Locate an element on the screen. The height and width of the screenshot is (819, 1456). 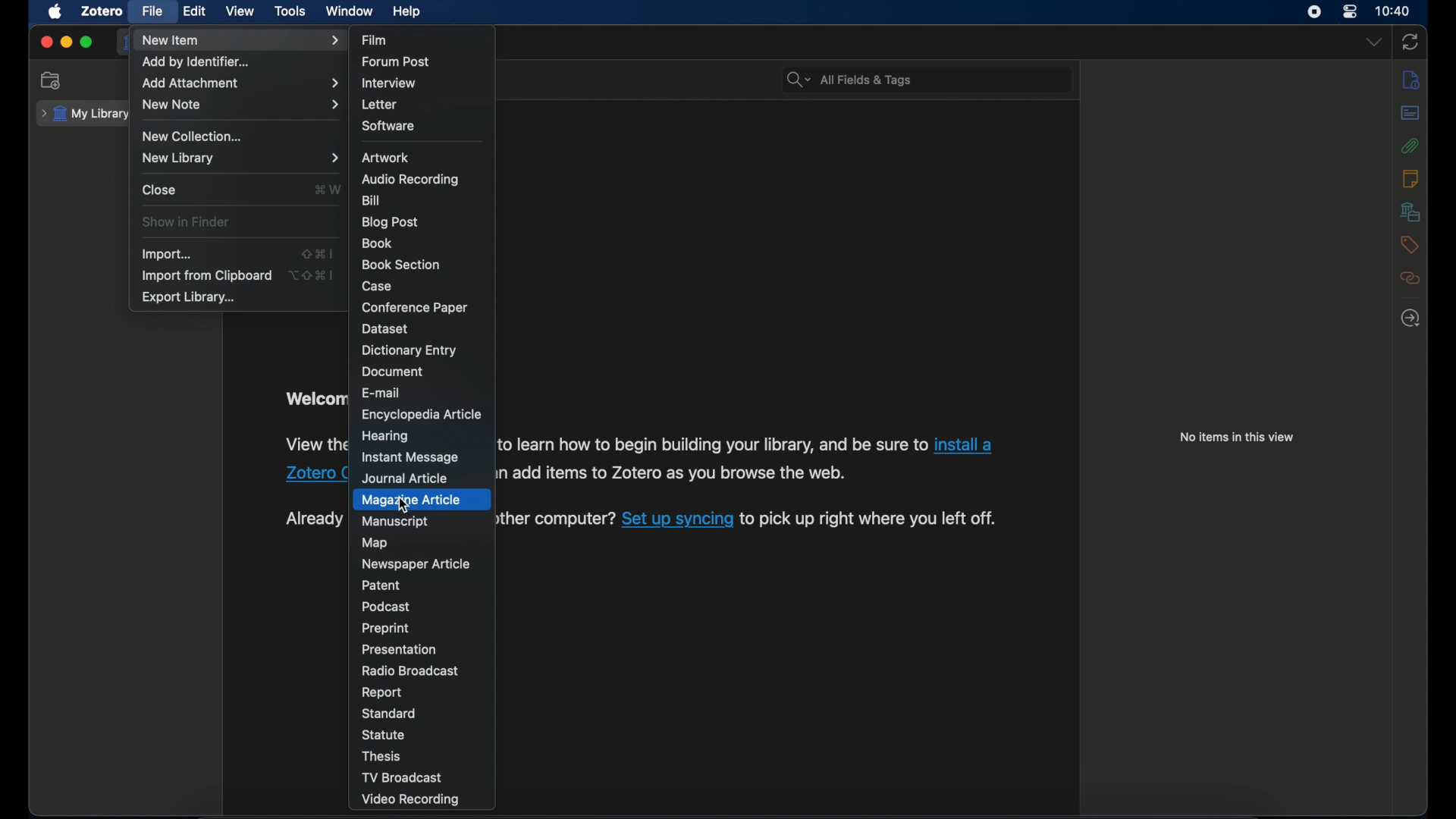
my library is located at coordinates (83, 113).